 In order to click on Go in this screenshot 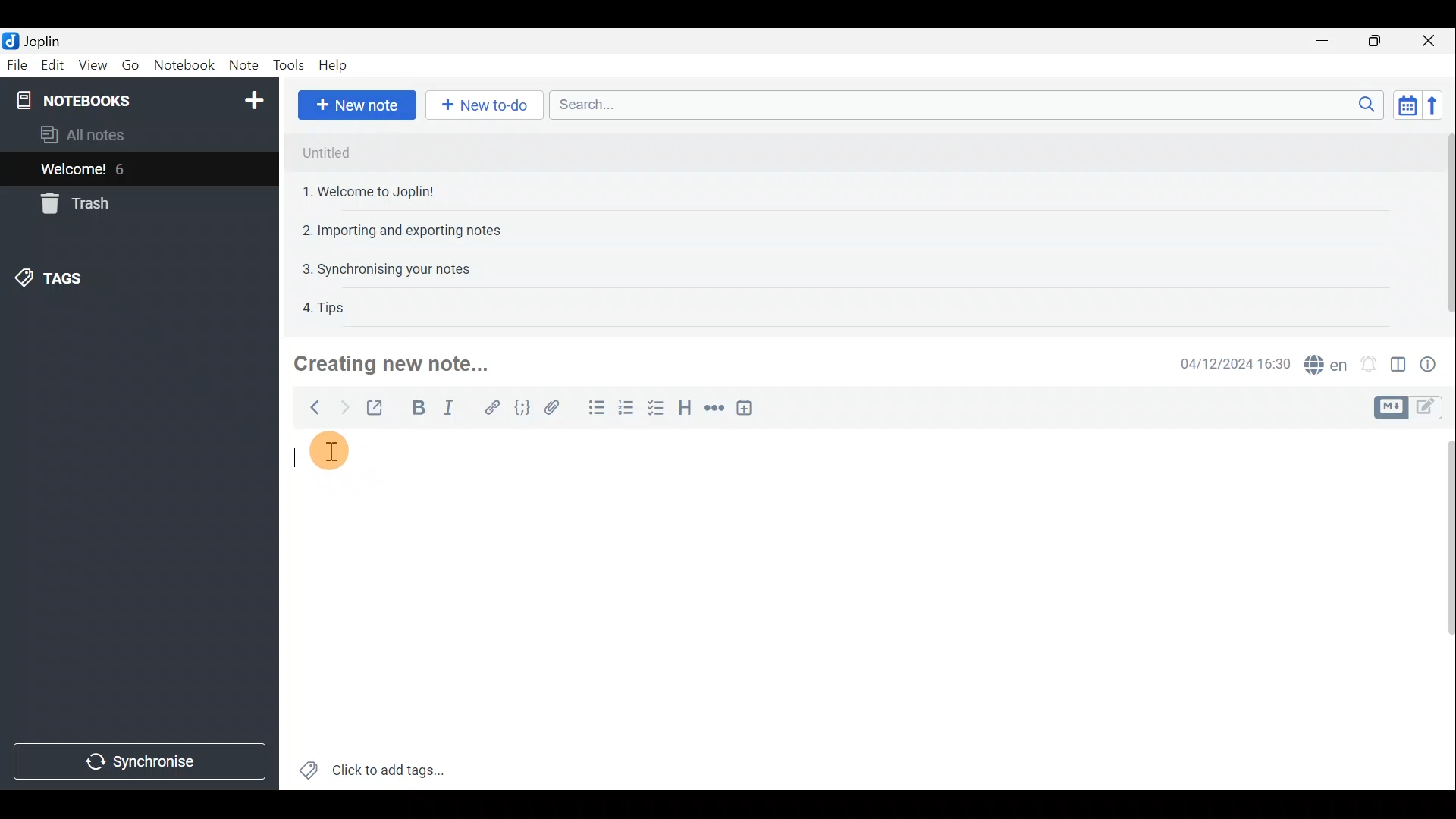, I will do `click(130, 64)`.